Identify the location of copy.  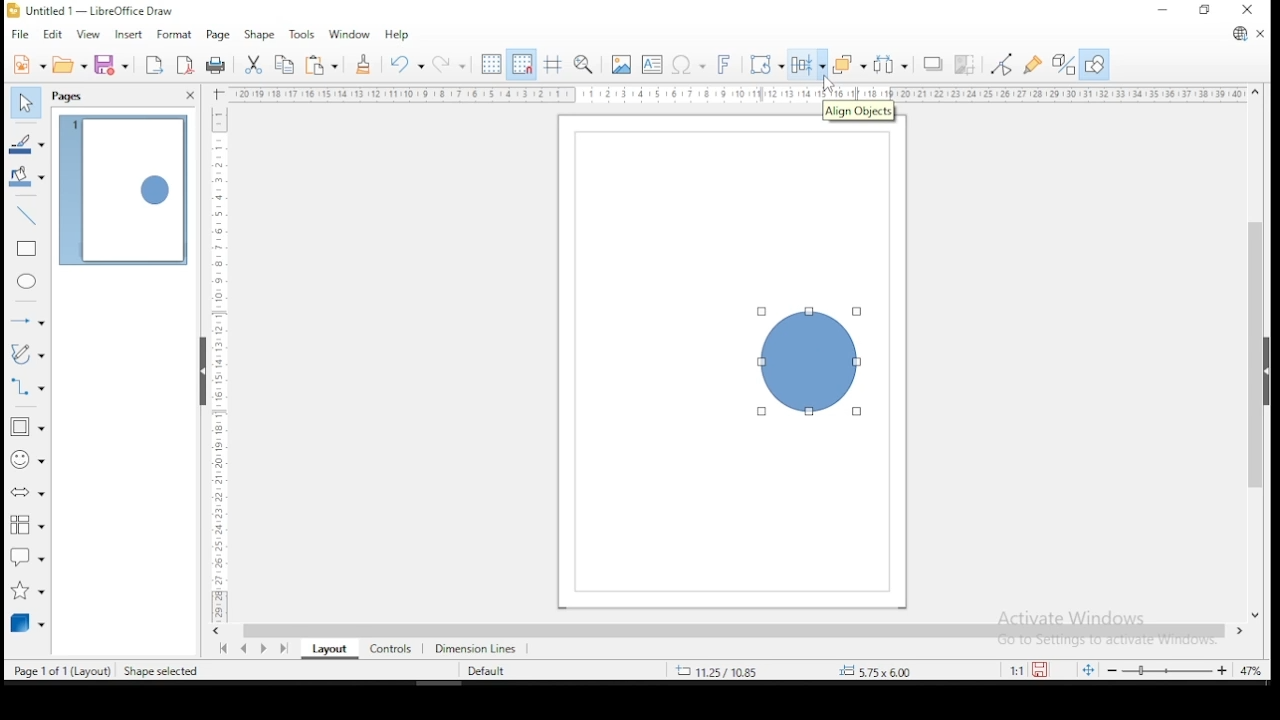
(285, 65).